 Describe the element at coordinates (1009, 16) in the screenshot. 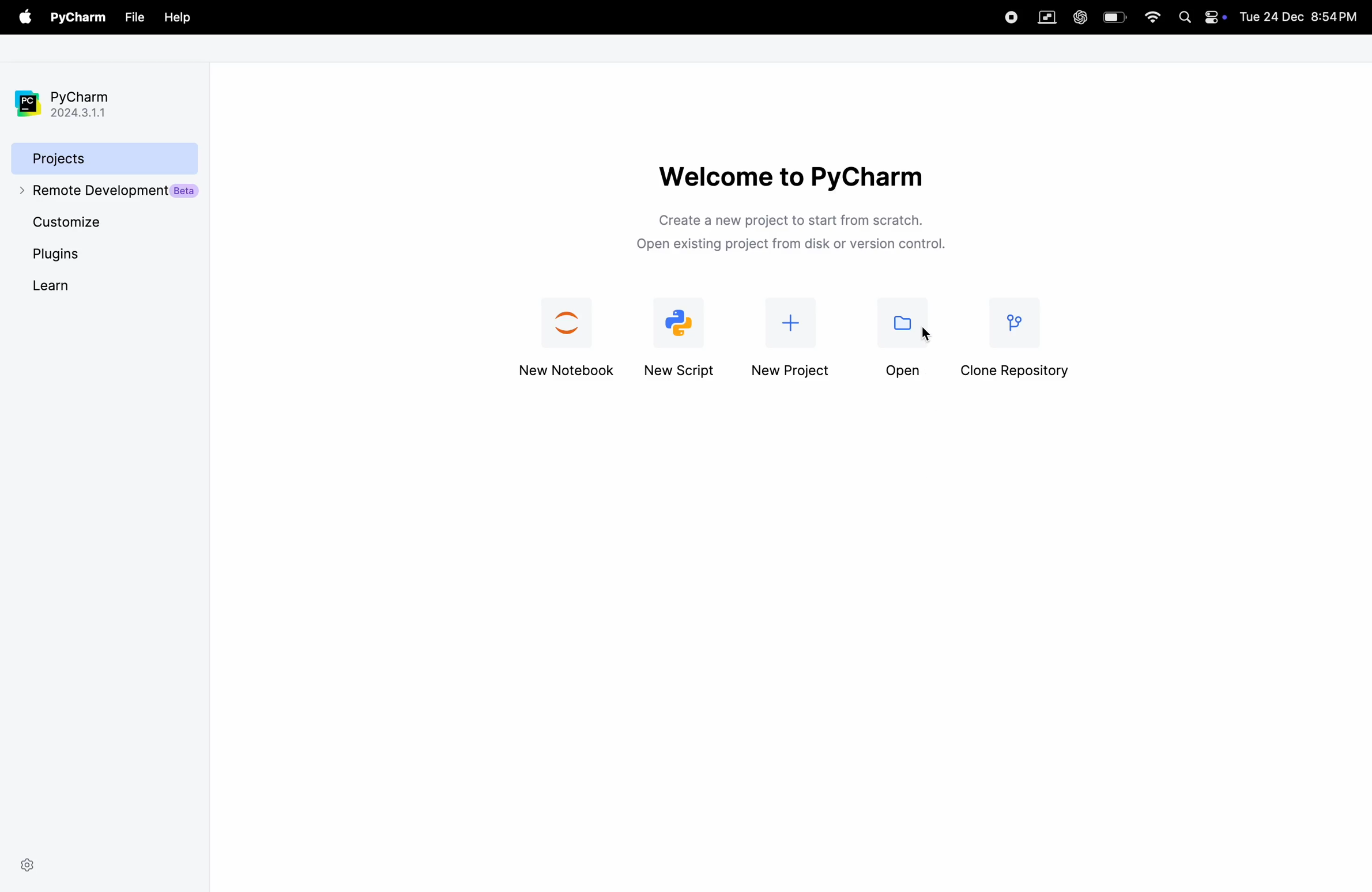

I see `record` at that location.